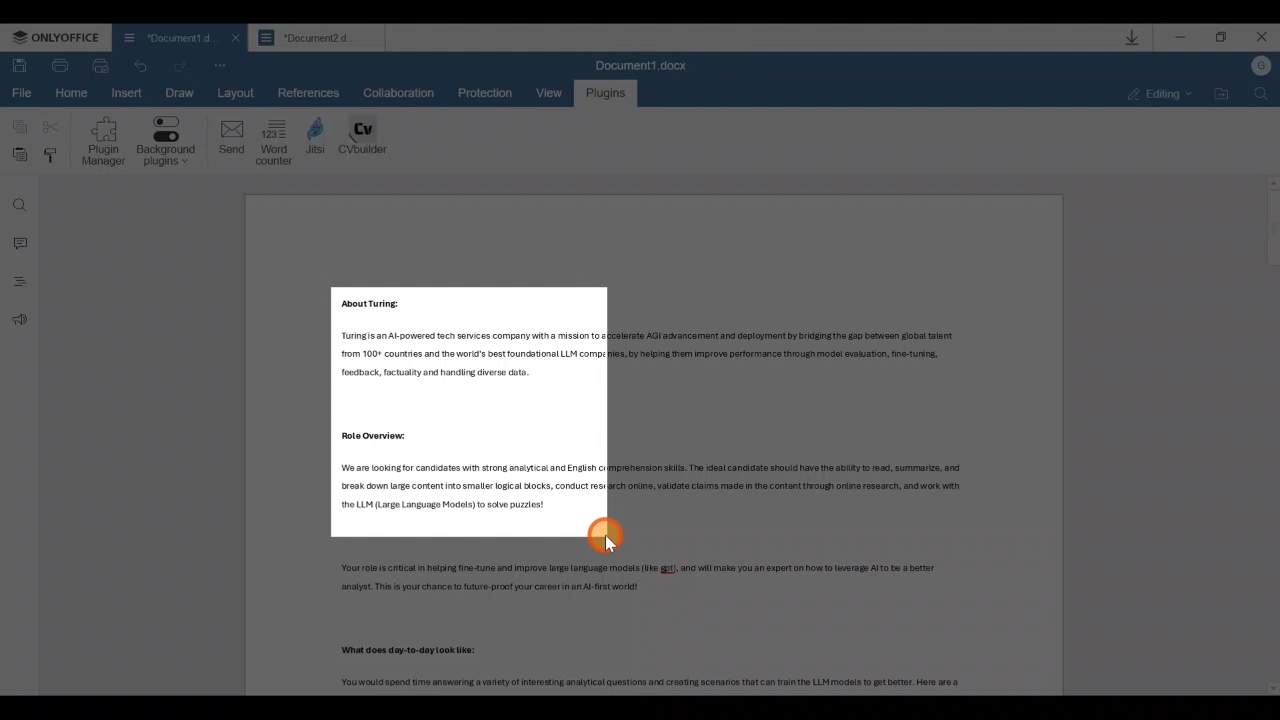  What do you see at coordinates (226, 140) in the screenshot?
I see `Send` at bounding box center [226, 140].